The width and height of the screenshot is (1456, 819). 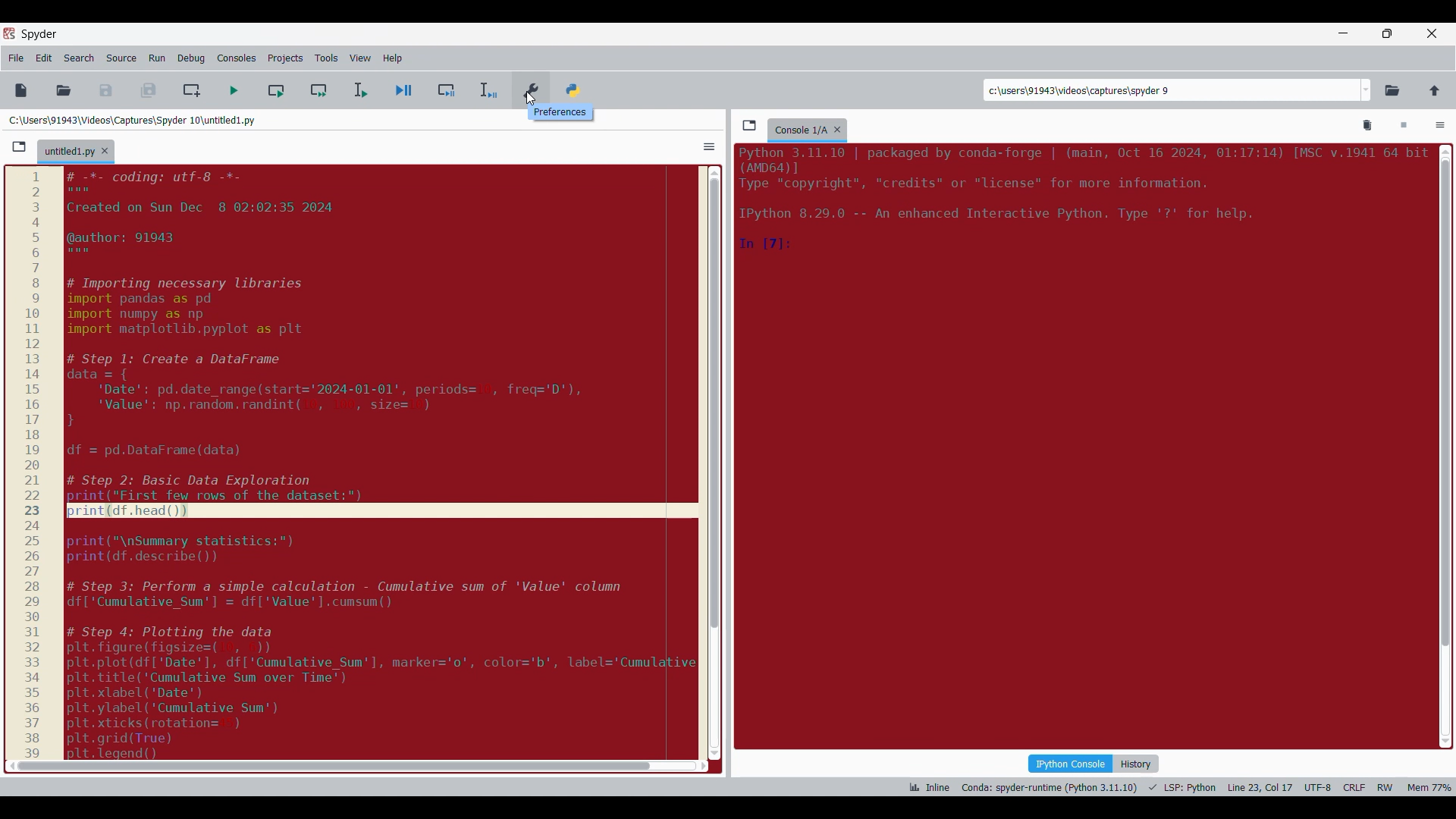 I want to click on Consoles menu, so click(x=237, y=58).